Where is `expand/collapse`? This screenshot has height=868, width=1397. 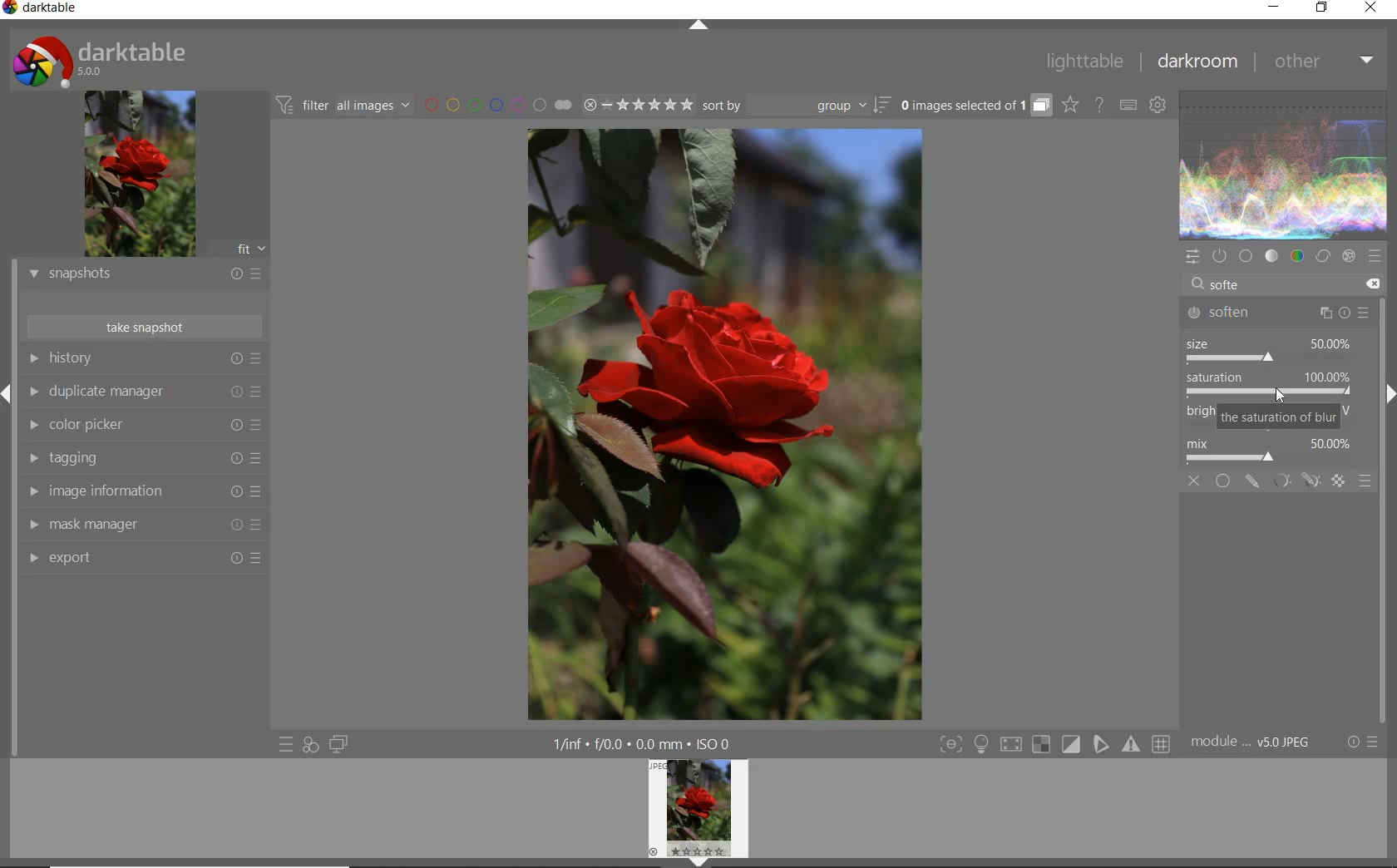 expand/collapse is located at coordinates (702, 27).